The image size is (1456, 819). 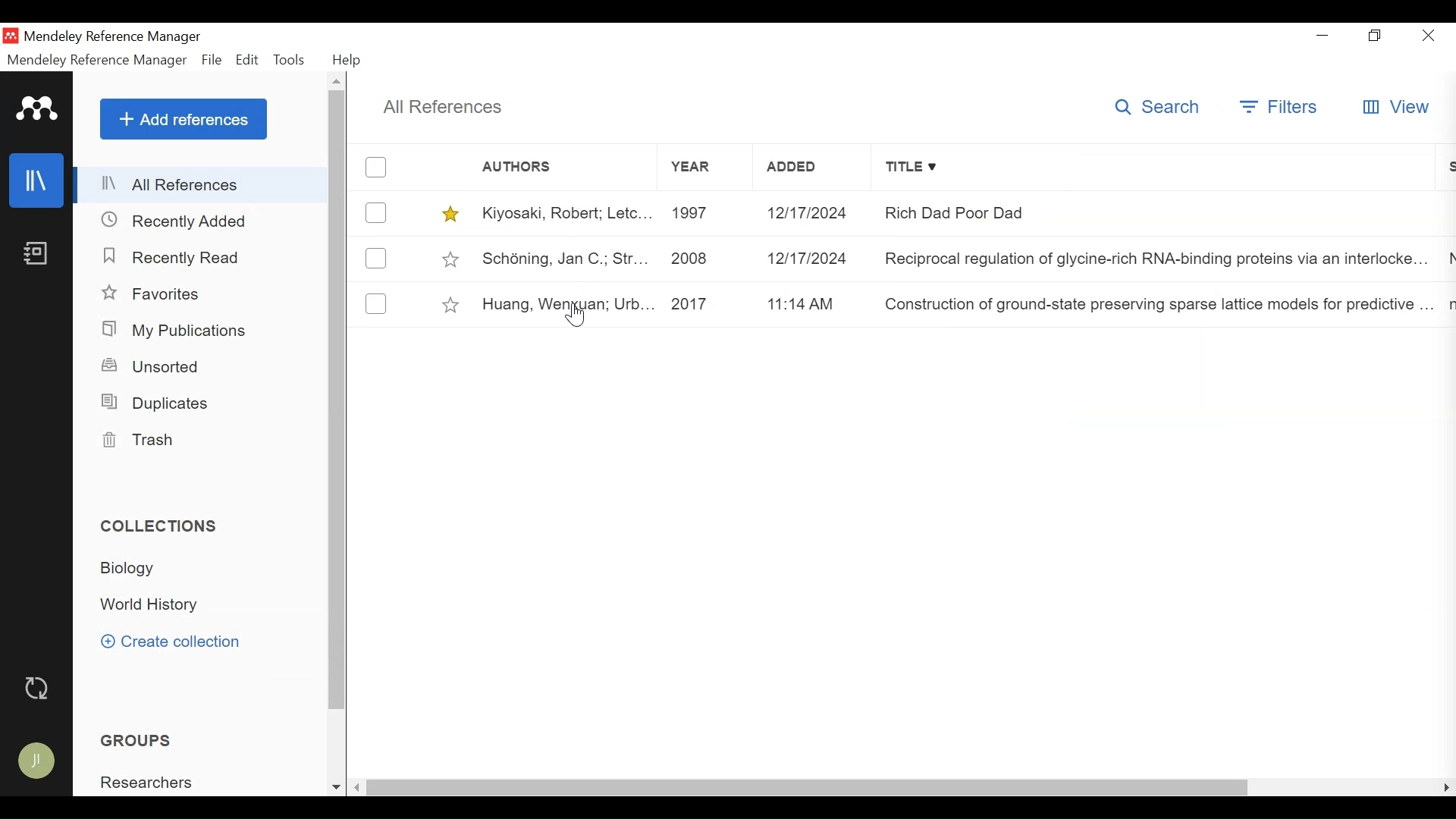 What do you see at coordinates (701, 259) in the screenshot?
I see `2008` at bounding box center [701, 259].